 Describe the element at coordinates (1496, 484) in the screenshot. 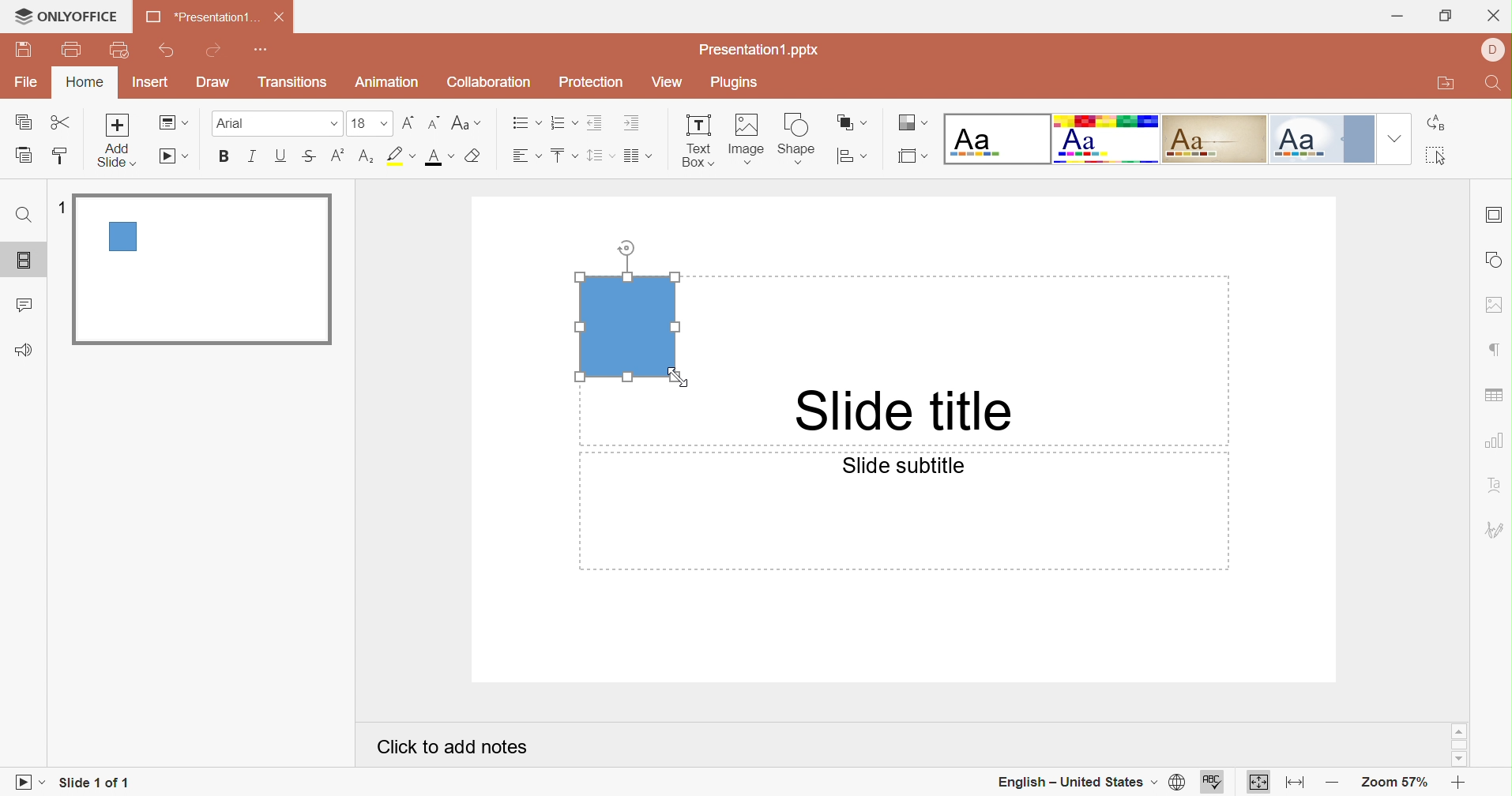

I see `Text art settings` at that location.